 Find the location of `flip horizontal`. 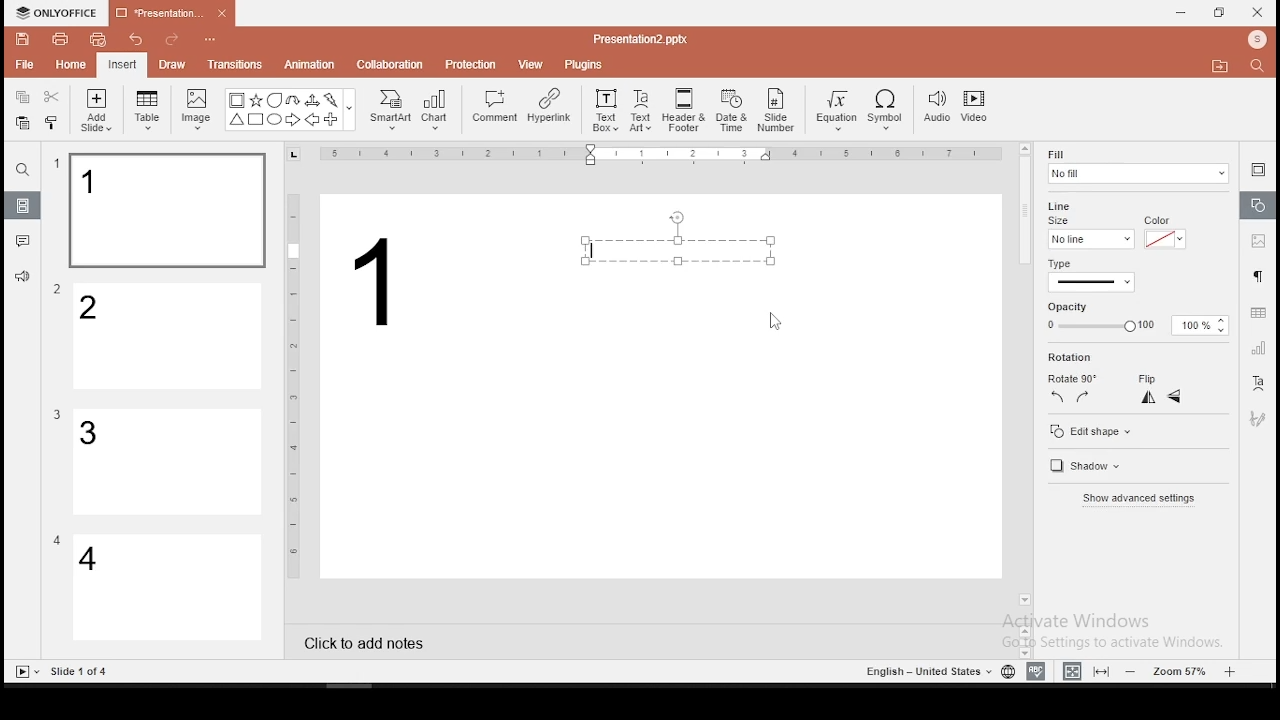

flip horizontal is located at coordinates (1146, 397).